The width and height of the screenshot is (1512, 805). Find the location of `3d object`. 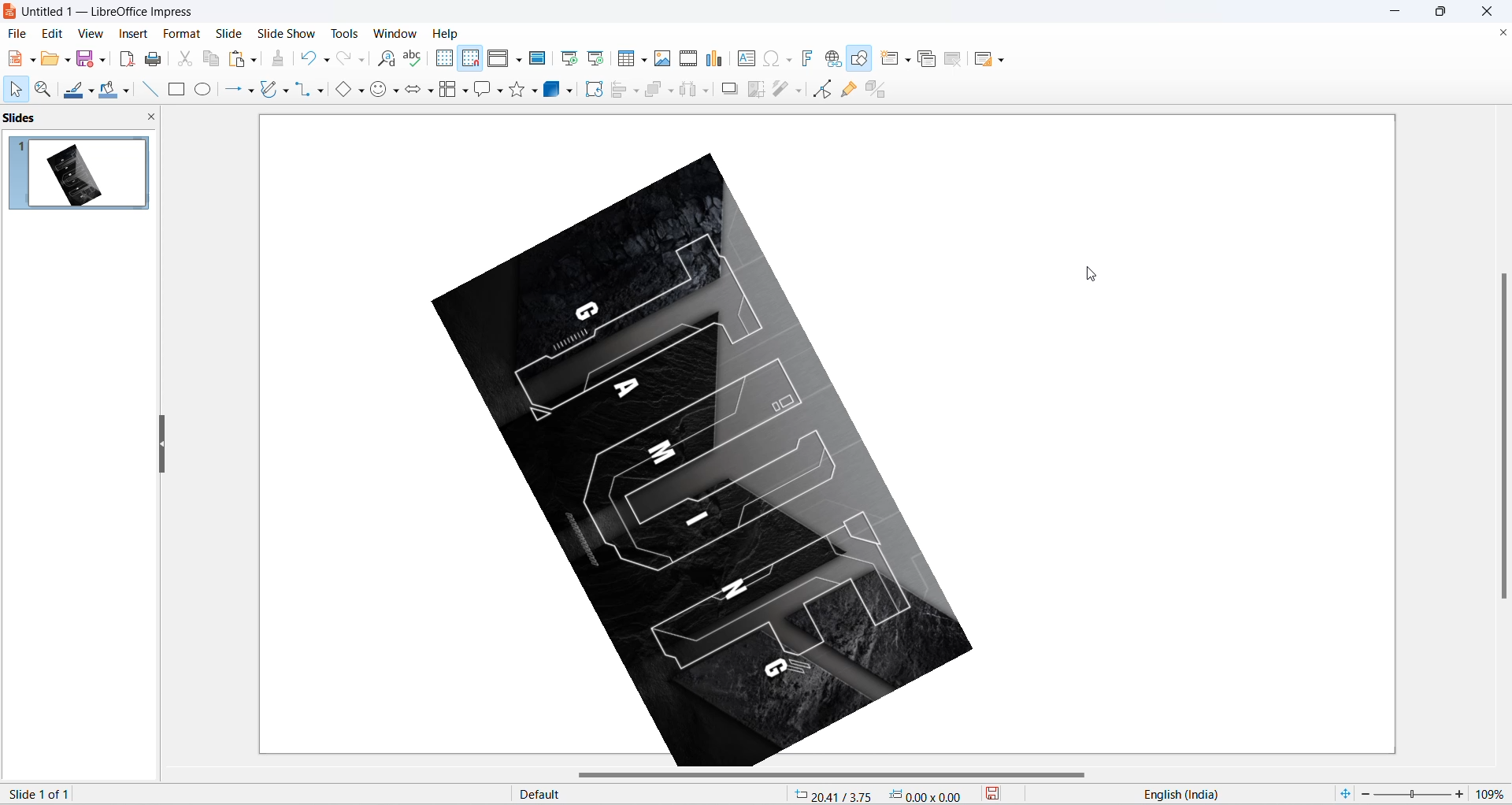

3d object is located at coordinates (561, 90).